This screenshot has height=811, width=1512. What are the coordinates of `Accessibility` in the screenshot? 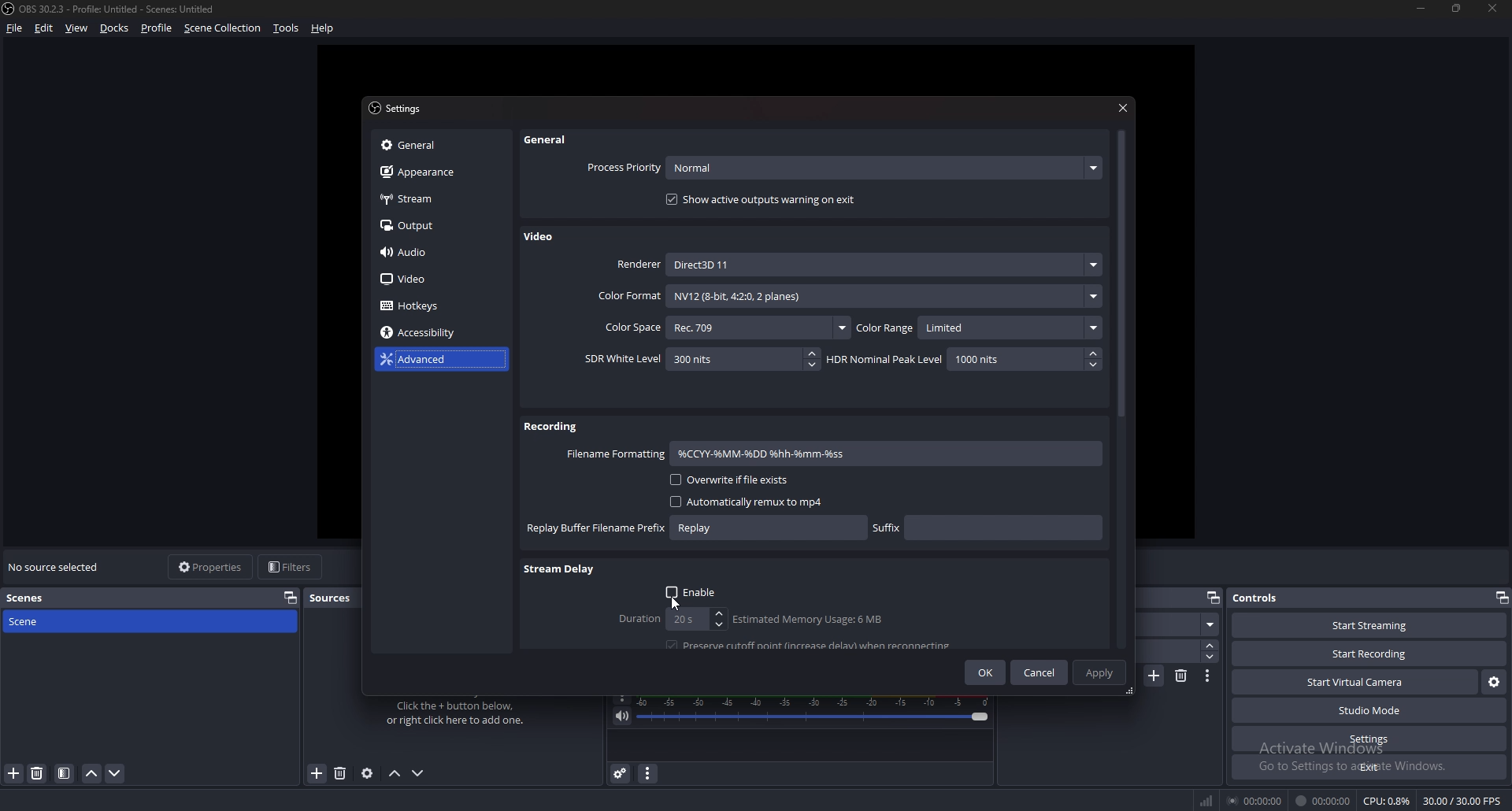 It's located at (427, 333).